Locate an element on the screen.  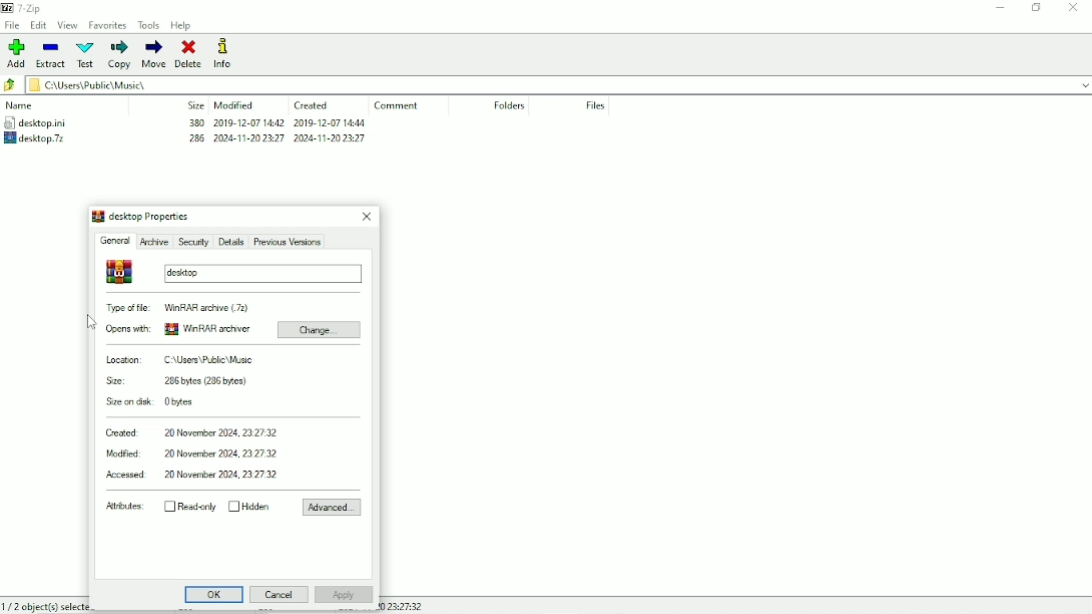
1/2 object(s) selected is located at coordinates (44, 605).